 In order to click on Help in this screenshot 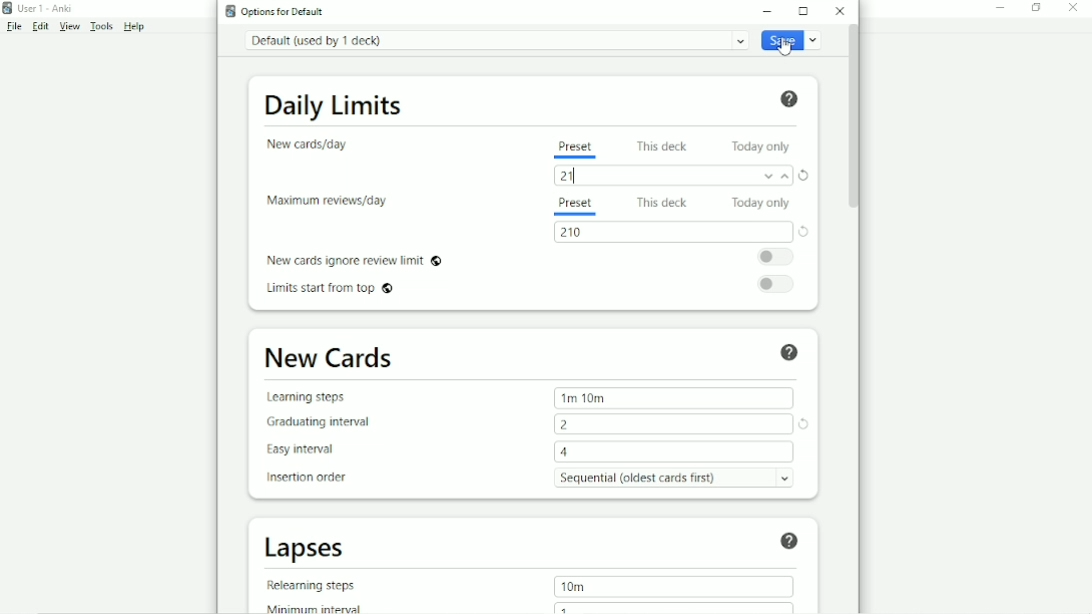, I will do `click(790, 99)`.